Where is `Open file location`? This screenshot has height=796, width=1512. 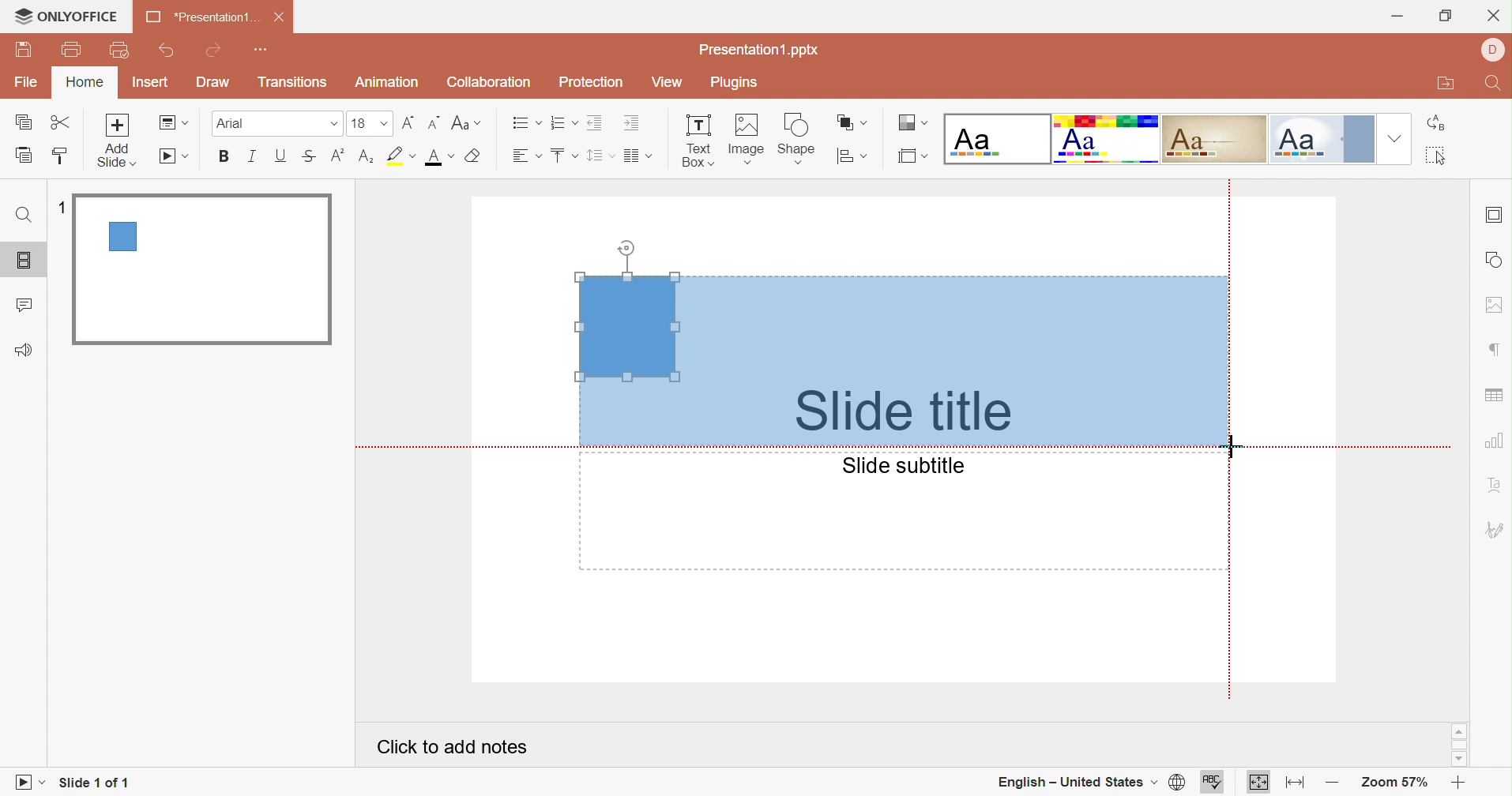
Open file location is located at coordinates (1446, 84).